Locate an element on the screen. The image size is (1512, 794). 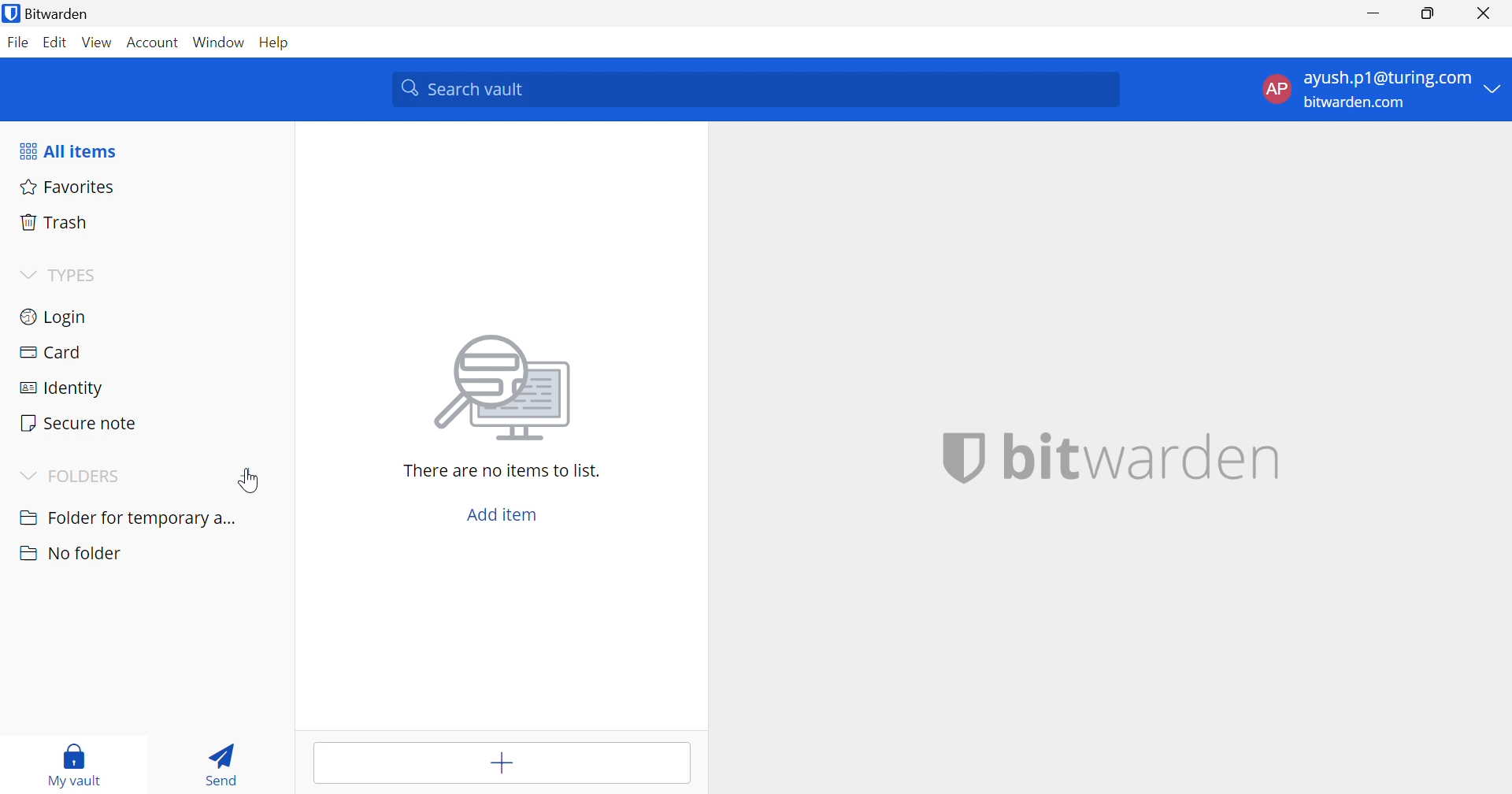
Add item is located at coordinates (510, 515).